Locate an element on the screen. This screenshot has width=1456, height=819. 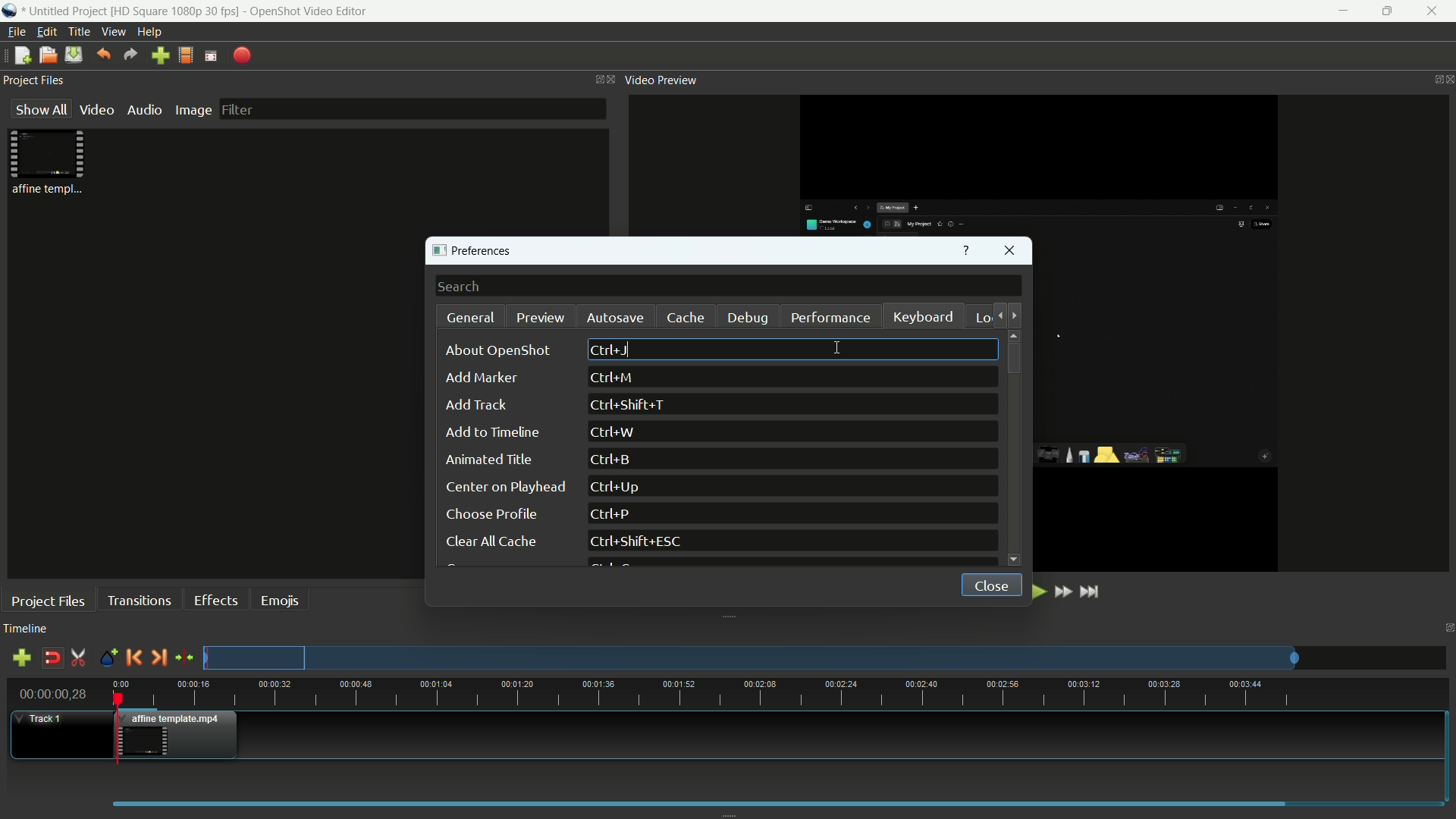
emojis is located at coordinates (281, 599).